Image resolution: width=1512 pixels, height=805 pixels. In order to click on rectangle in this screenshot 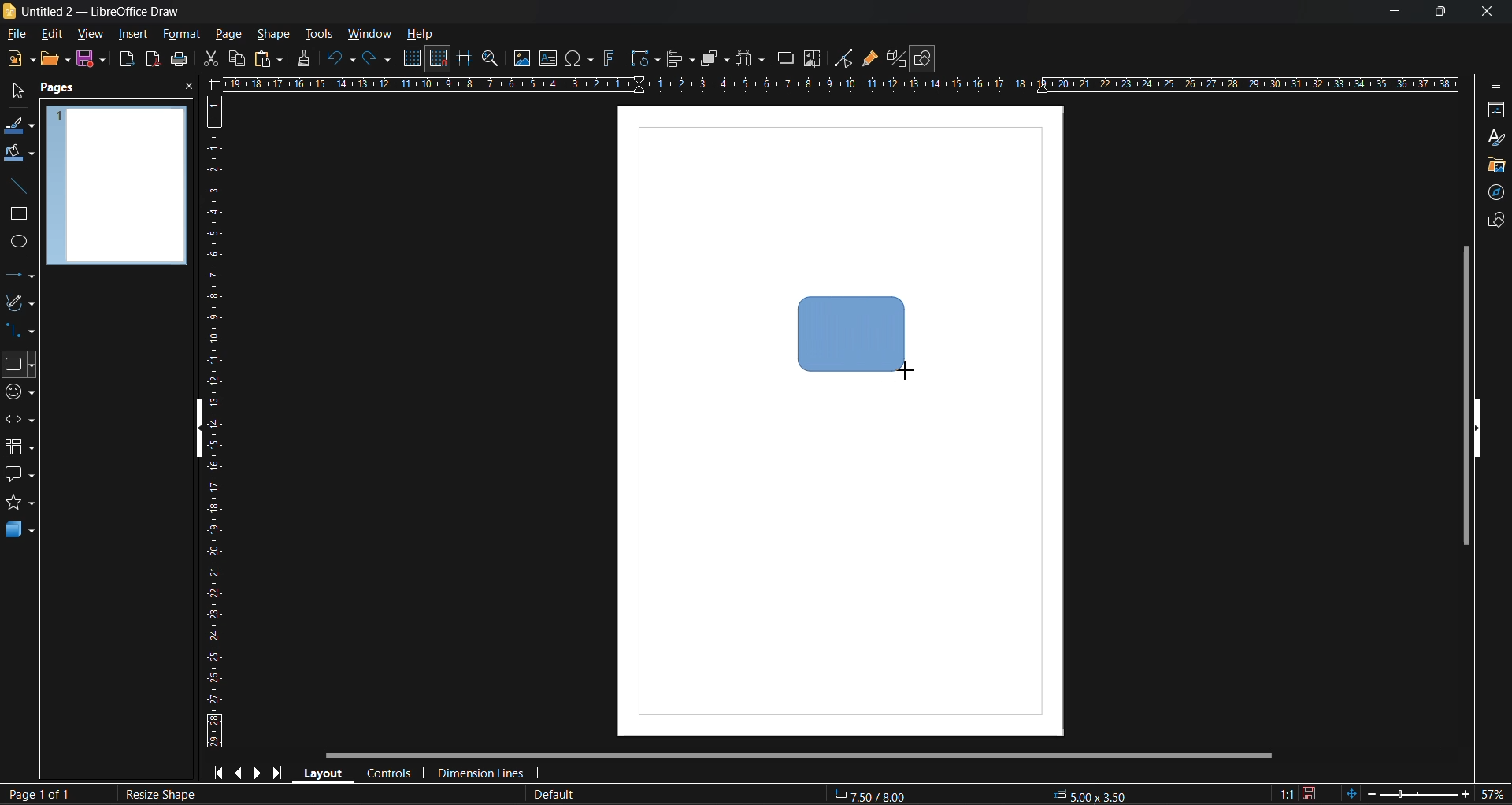, I will do `click(16, 215)`.